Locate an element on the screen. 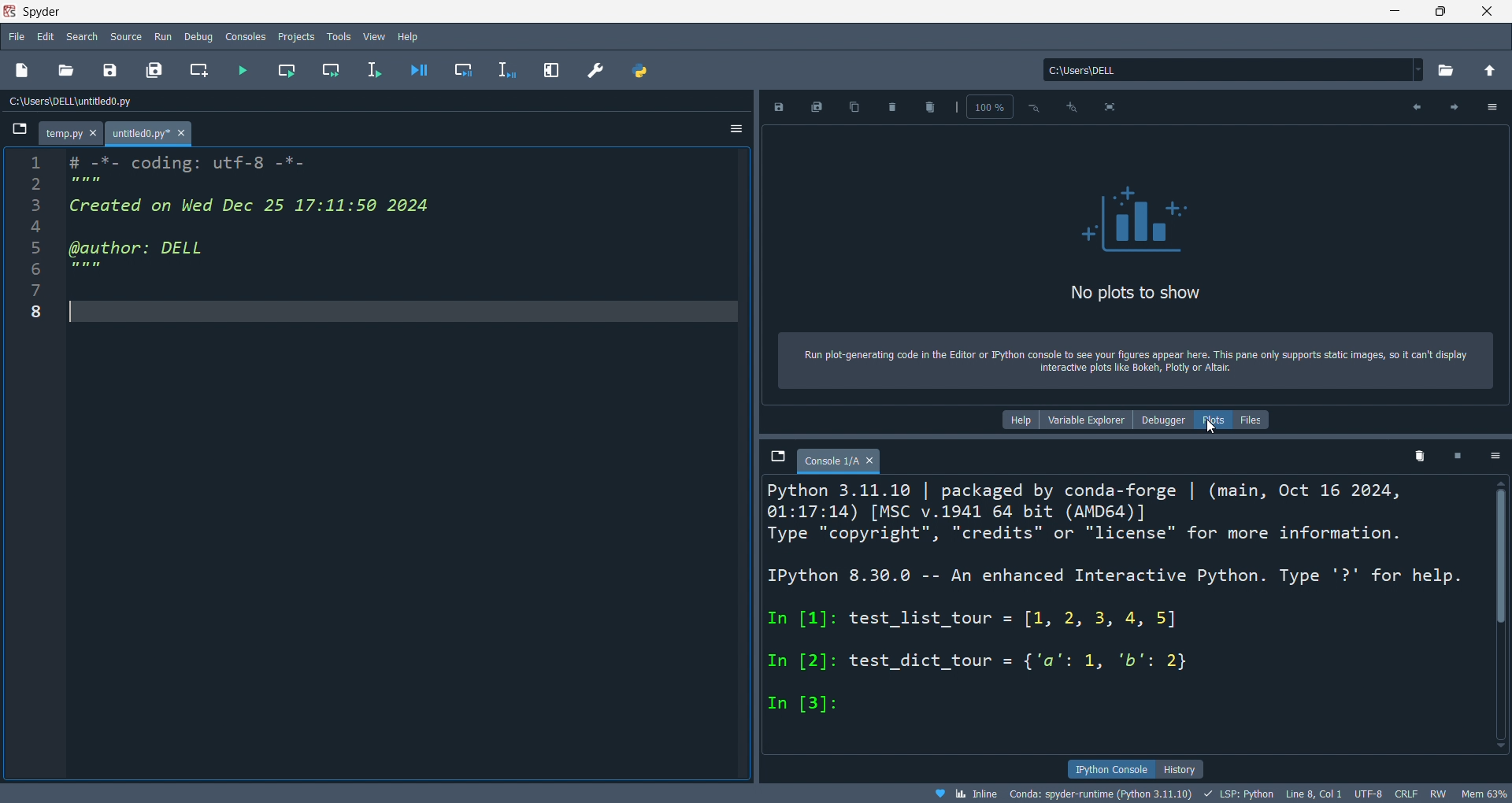 Image resolution: width=1512 pixels, height=803 pixels. python path manager is located at coordinates (642, 71).